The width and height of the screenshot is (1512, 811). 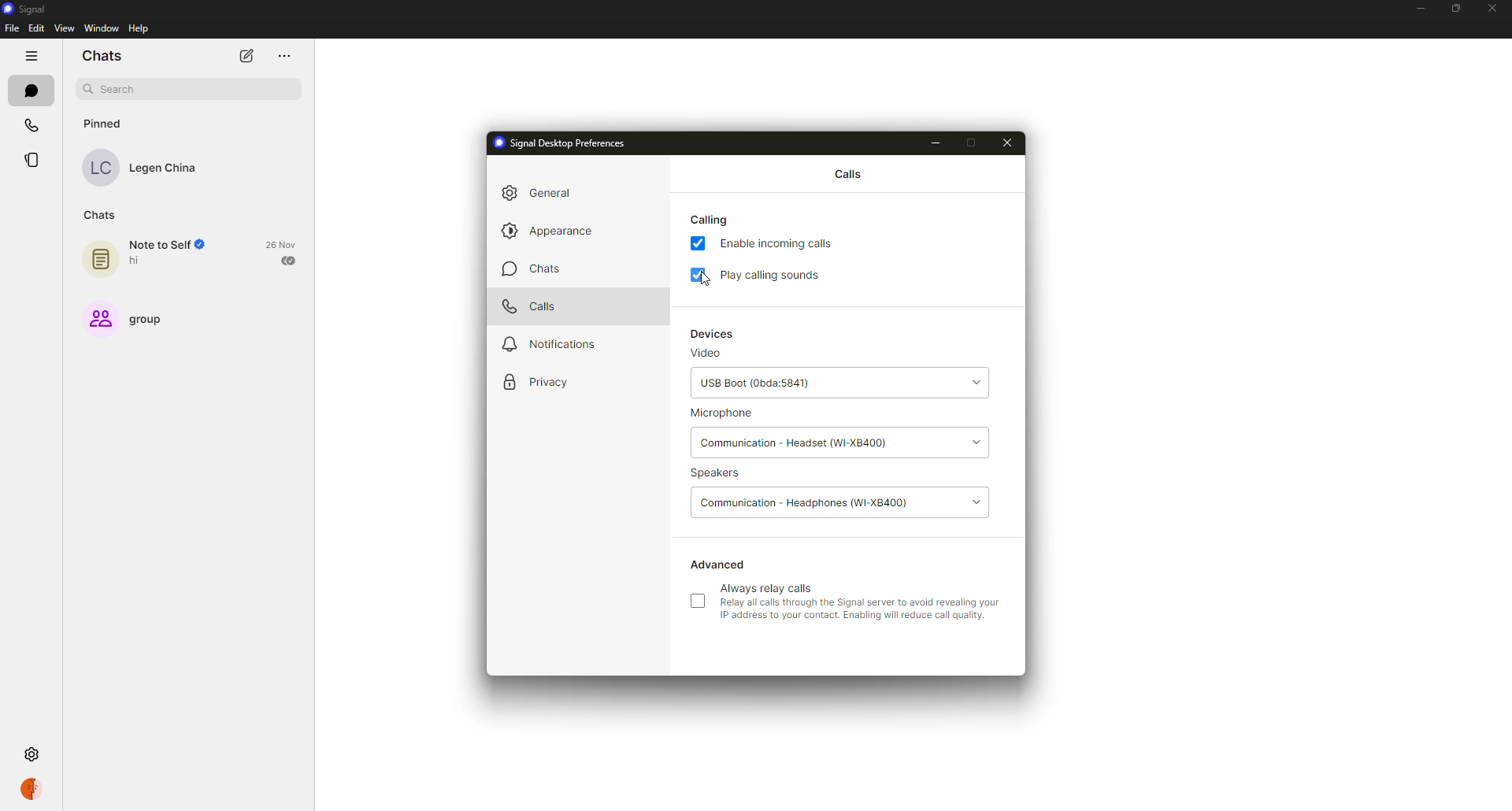 What do you see at coordinates (554, 231) in the screenshot?
I see `appearance` at bounding box center [554, 231].